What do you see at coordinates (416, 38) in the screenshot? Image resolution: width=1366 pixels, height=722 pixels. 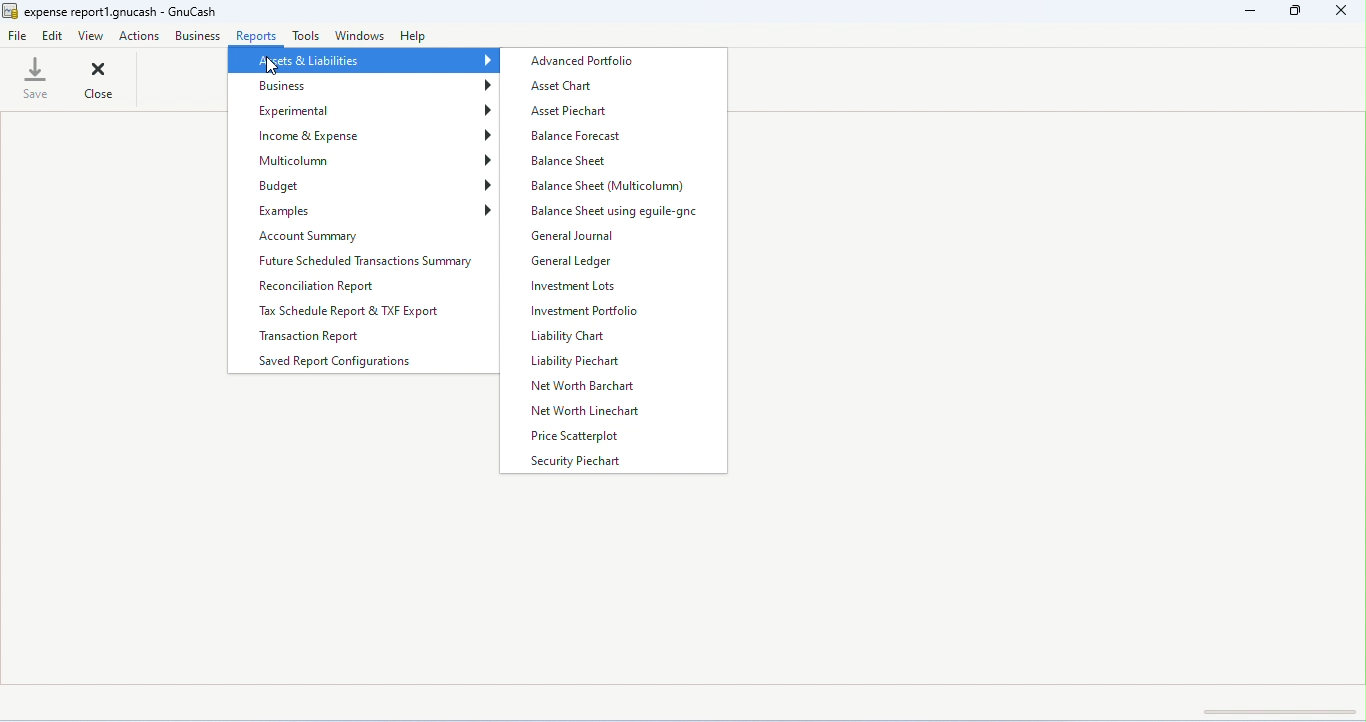 I see `help` at bounding box center [416, 38].